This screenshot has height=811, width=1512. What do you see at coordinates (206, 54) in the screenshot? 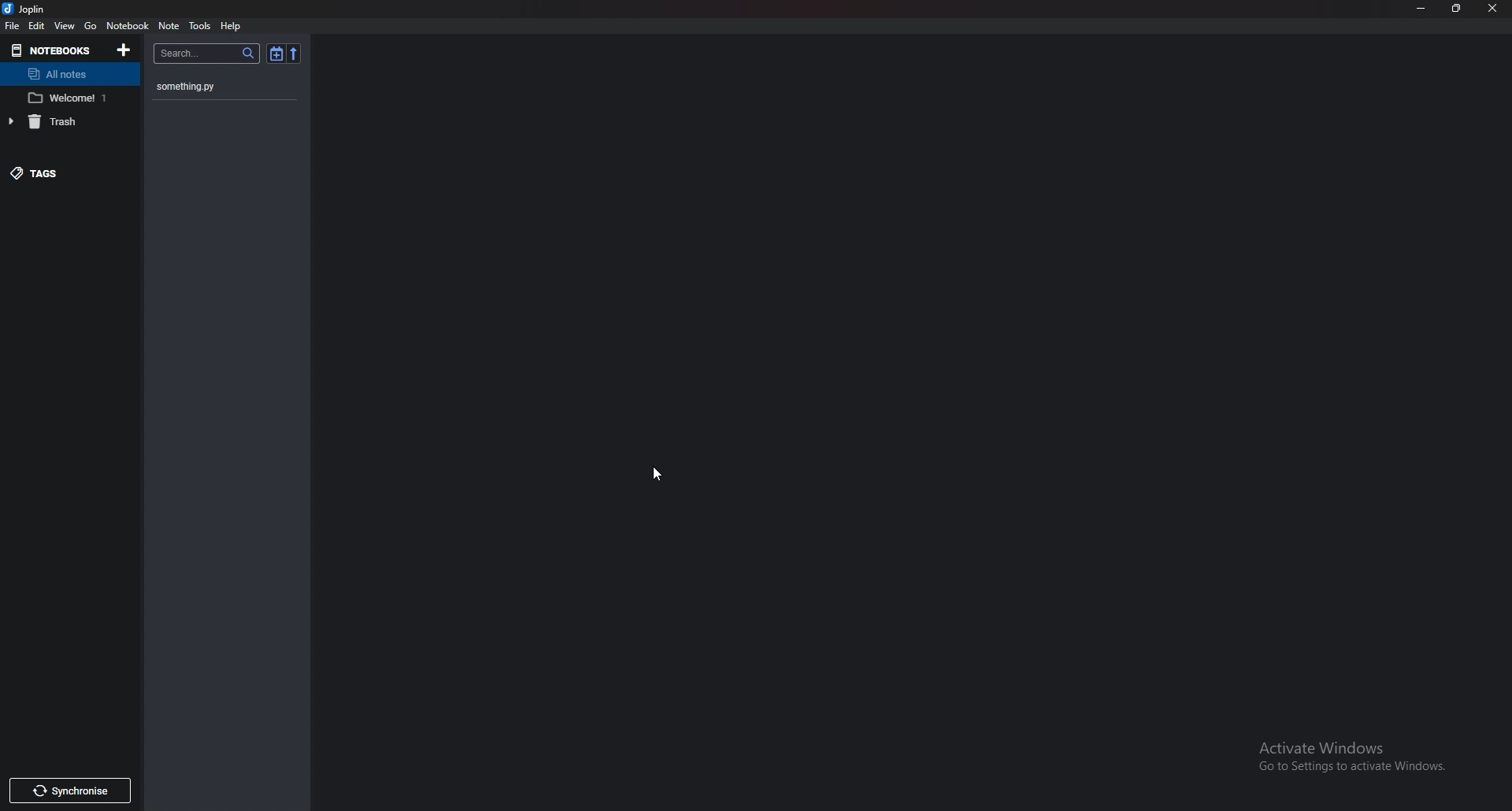
I see `search` at bounding box center [206, 54].